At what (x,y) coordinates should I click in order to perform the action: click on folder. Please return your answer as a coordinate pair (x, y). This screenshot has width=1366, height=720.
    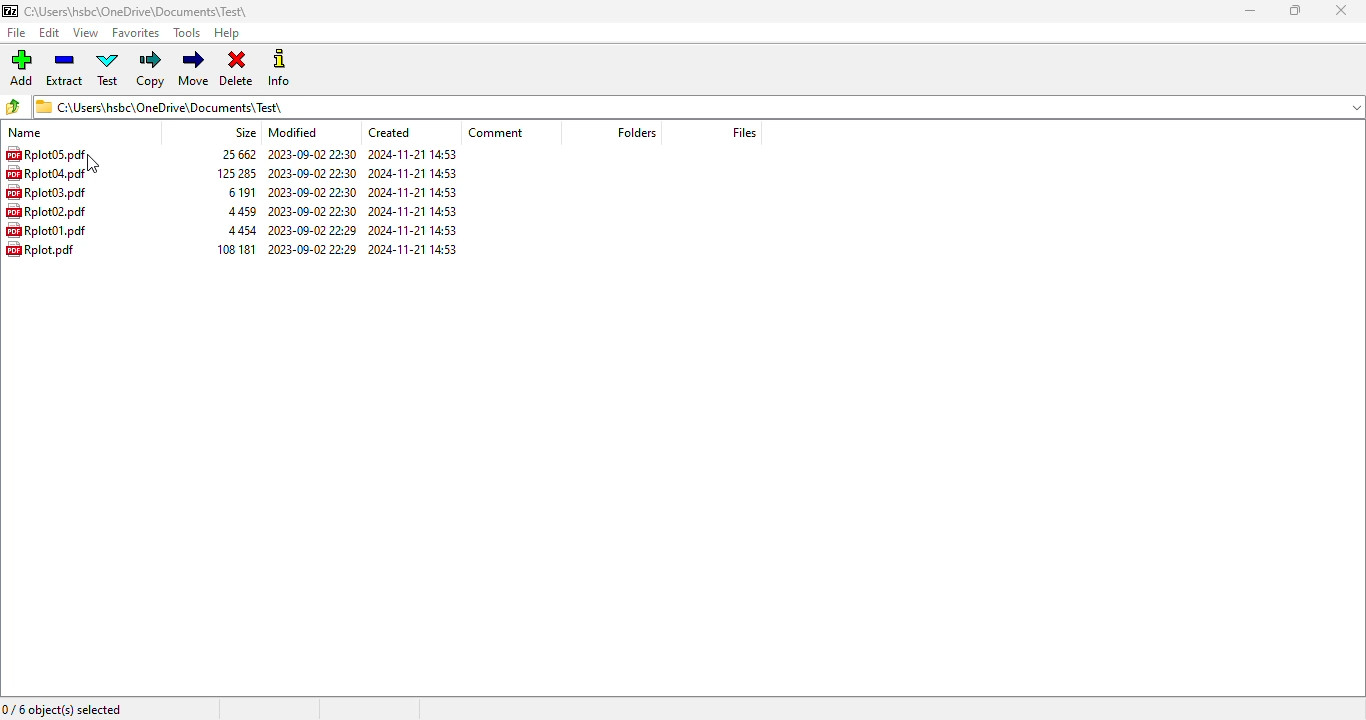
    Looking at the image, I should click on (138, 11).